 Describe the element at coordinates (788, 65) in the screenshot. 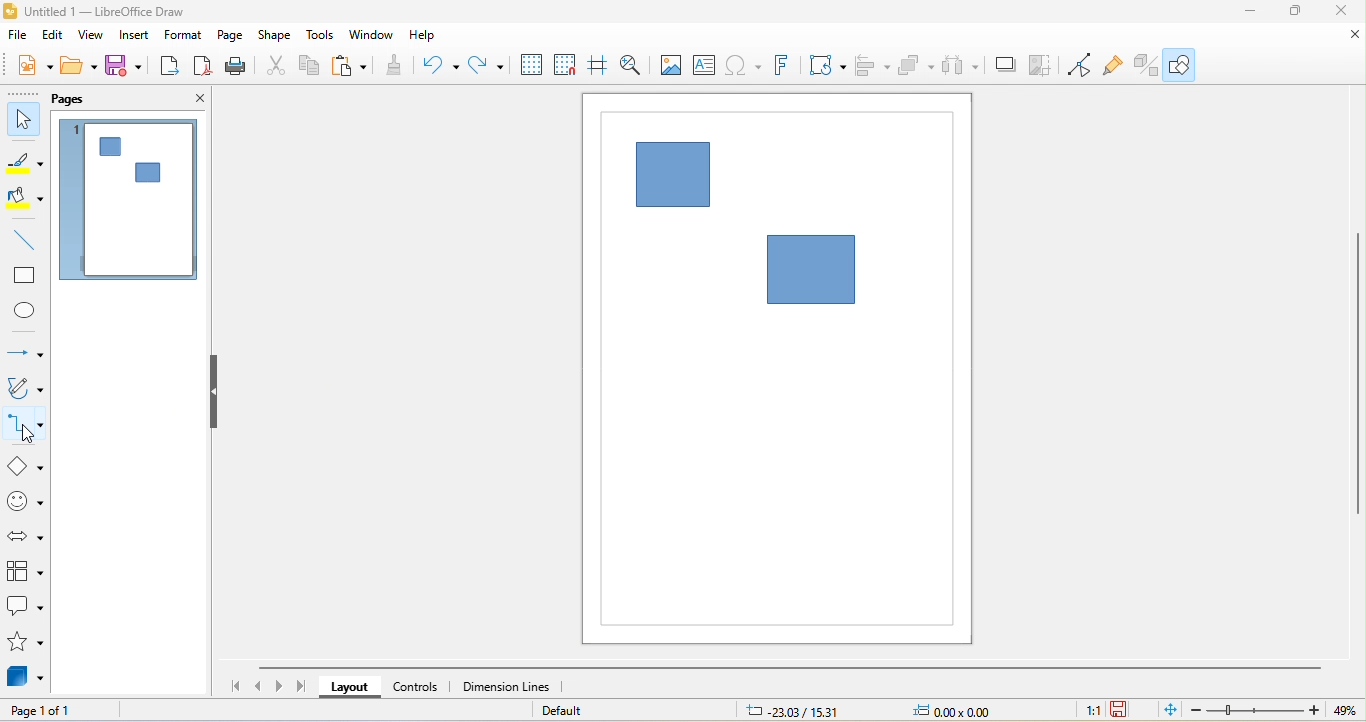

I see `fontwork text` at that location.